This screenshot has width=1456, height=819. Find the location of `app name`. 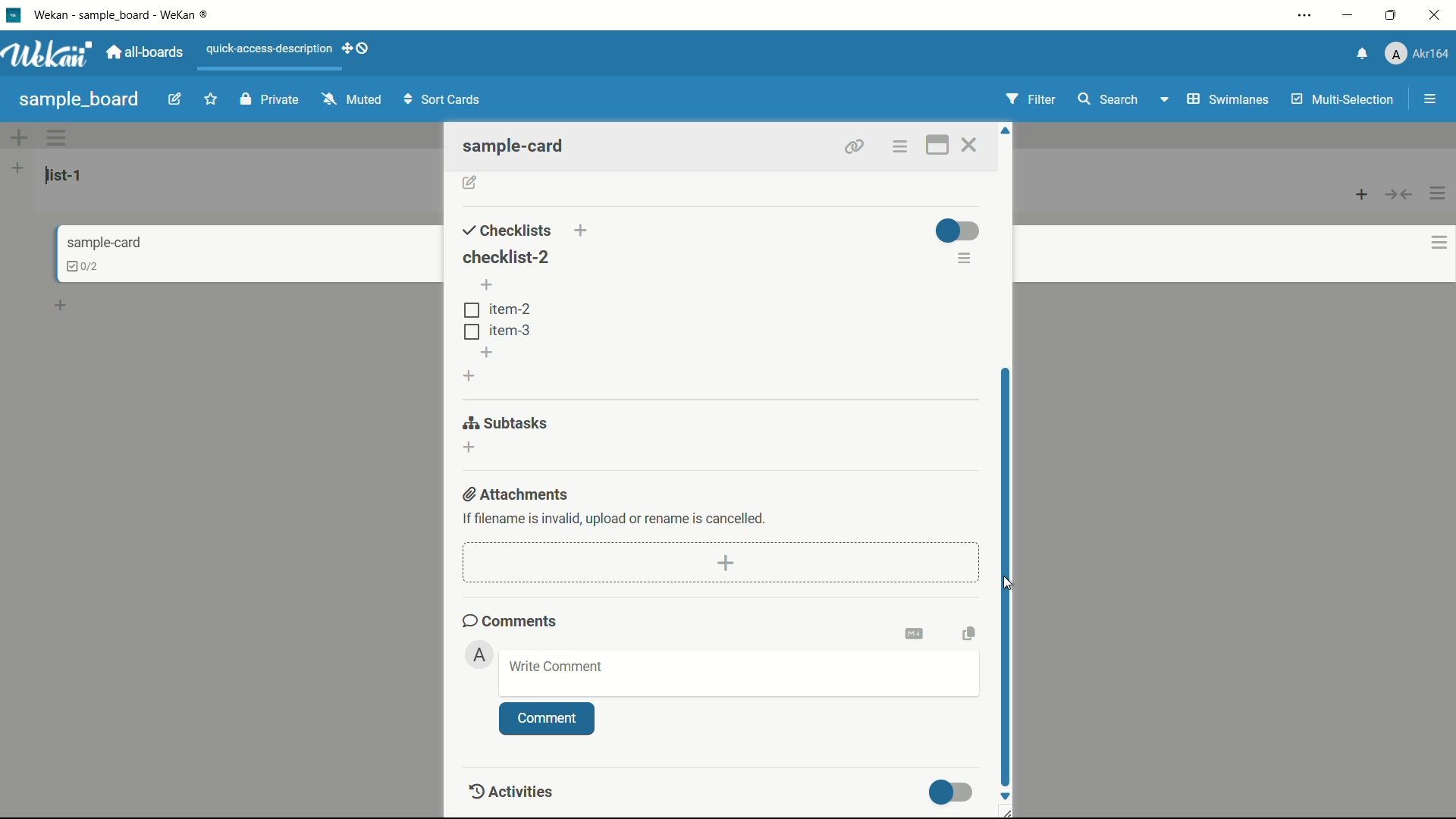

app name is located at coordinates (131, 14).